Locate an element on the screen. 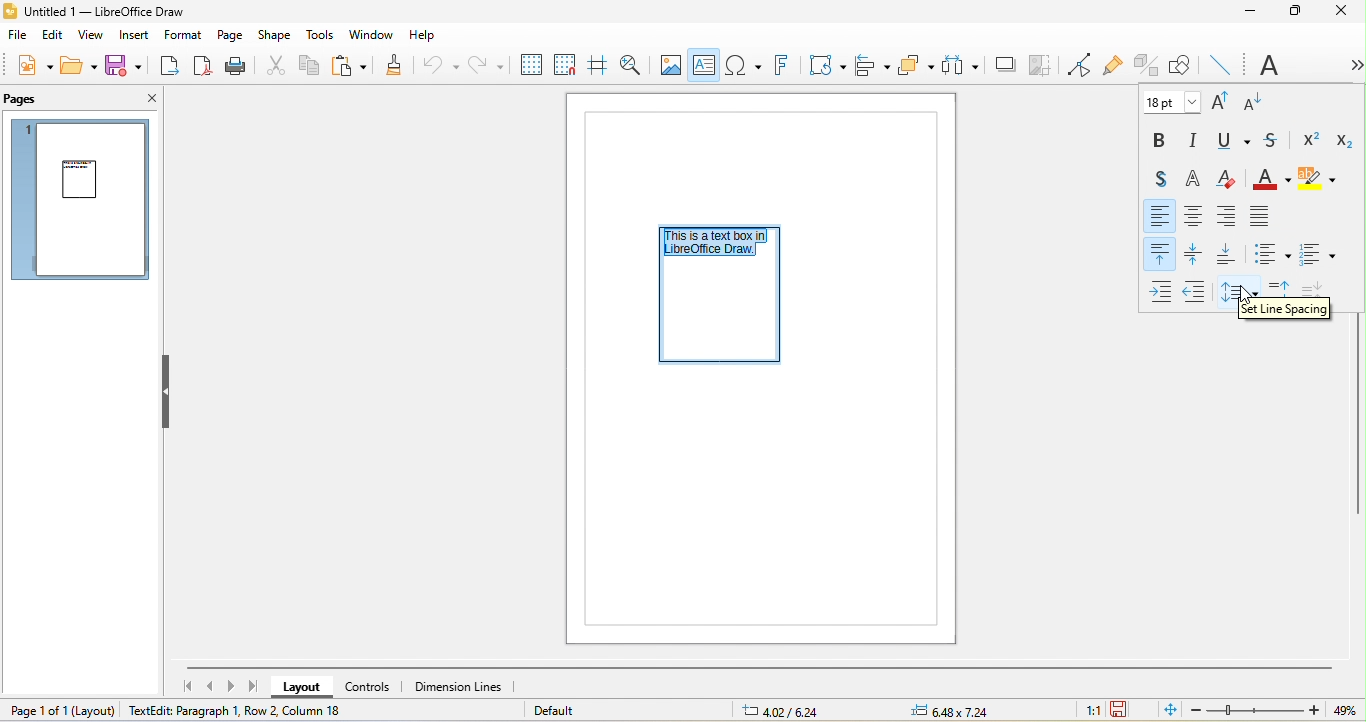 The width and height of the screenshot is (1366, 722). snap to grid is located at coordinates (563, 66).